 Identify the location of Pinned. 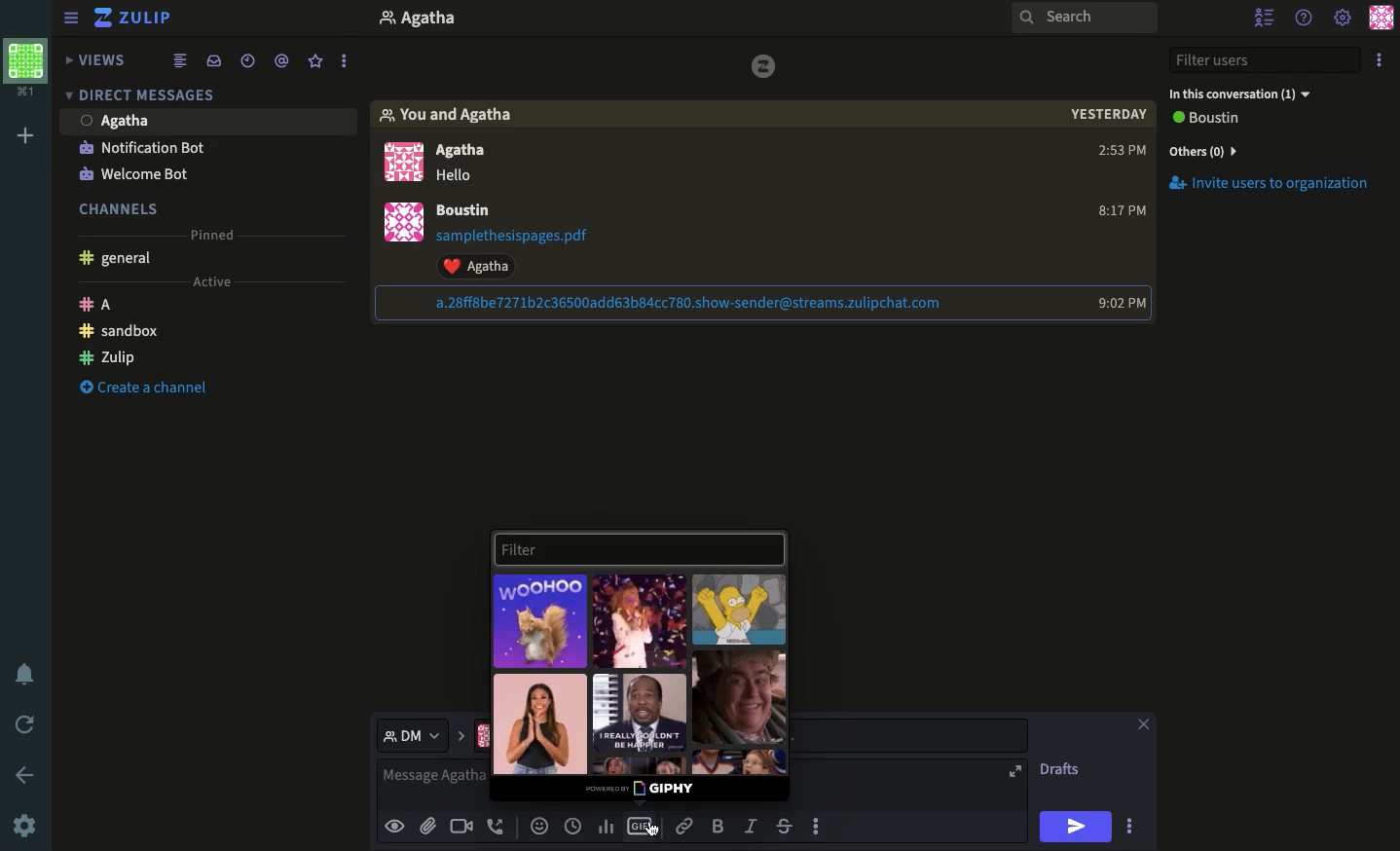
(221, 230).